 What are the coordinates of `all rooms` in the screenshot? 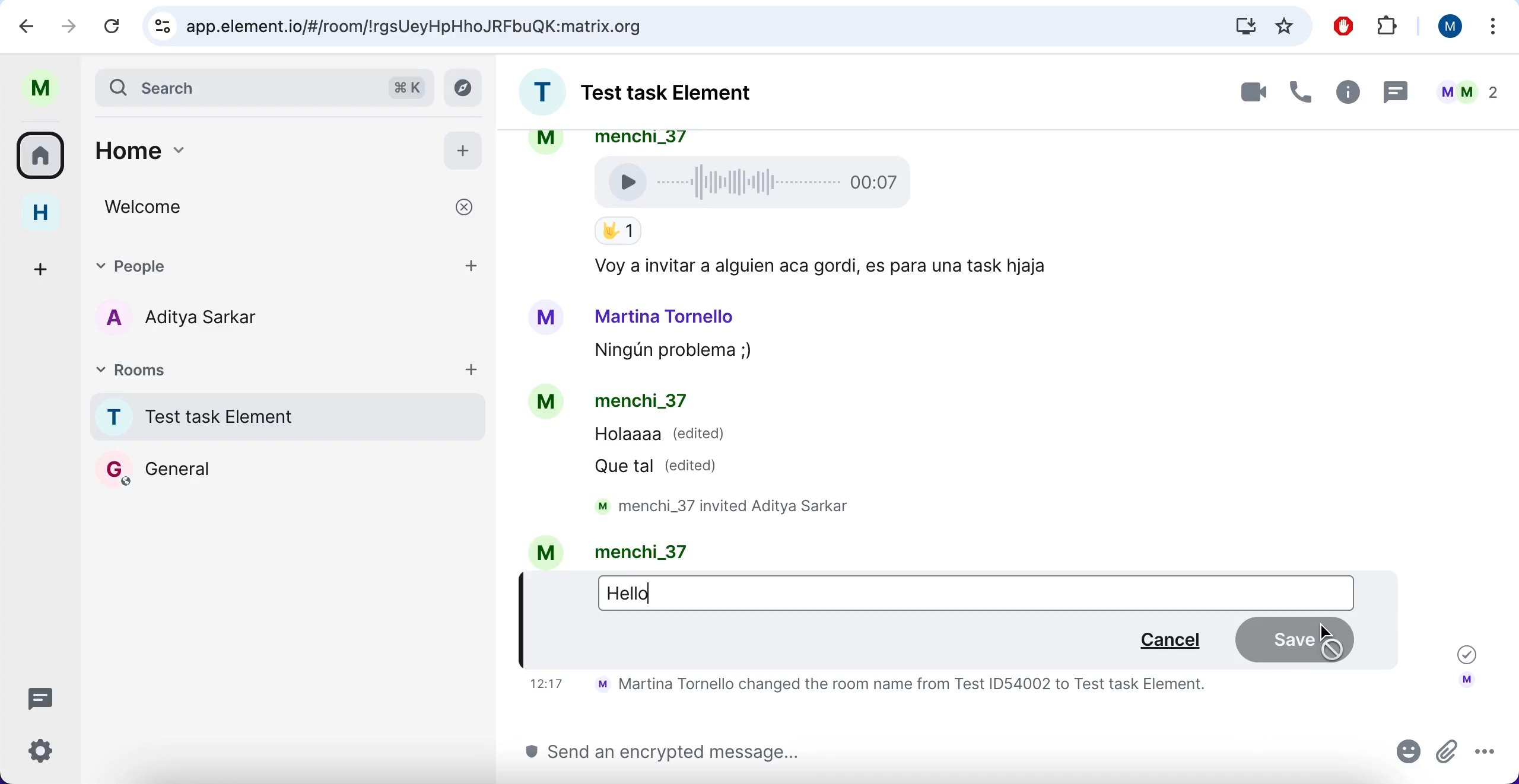 It's located at (43, 157).